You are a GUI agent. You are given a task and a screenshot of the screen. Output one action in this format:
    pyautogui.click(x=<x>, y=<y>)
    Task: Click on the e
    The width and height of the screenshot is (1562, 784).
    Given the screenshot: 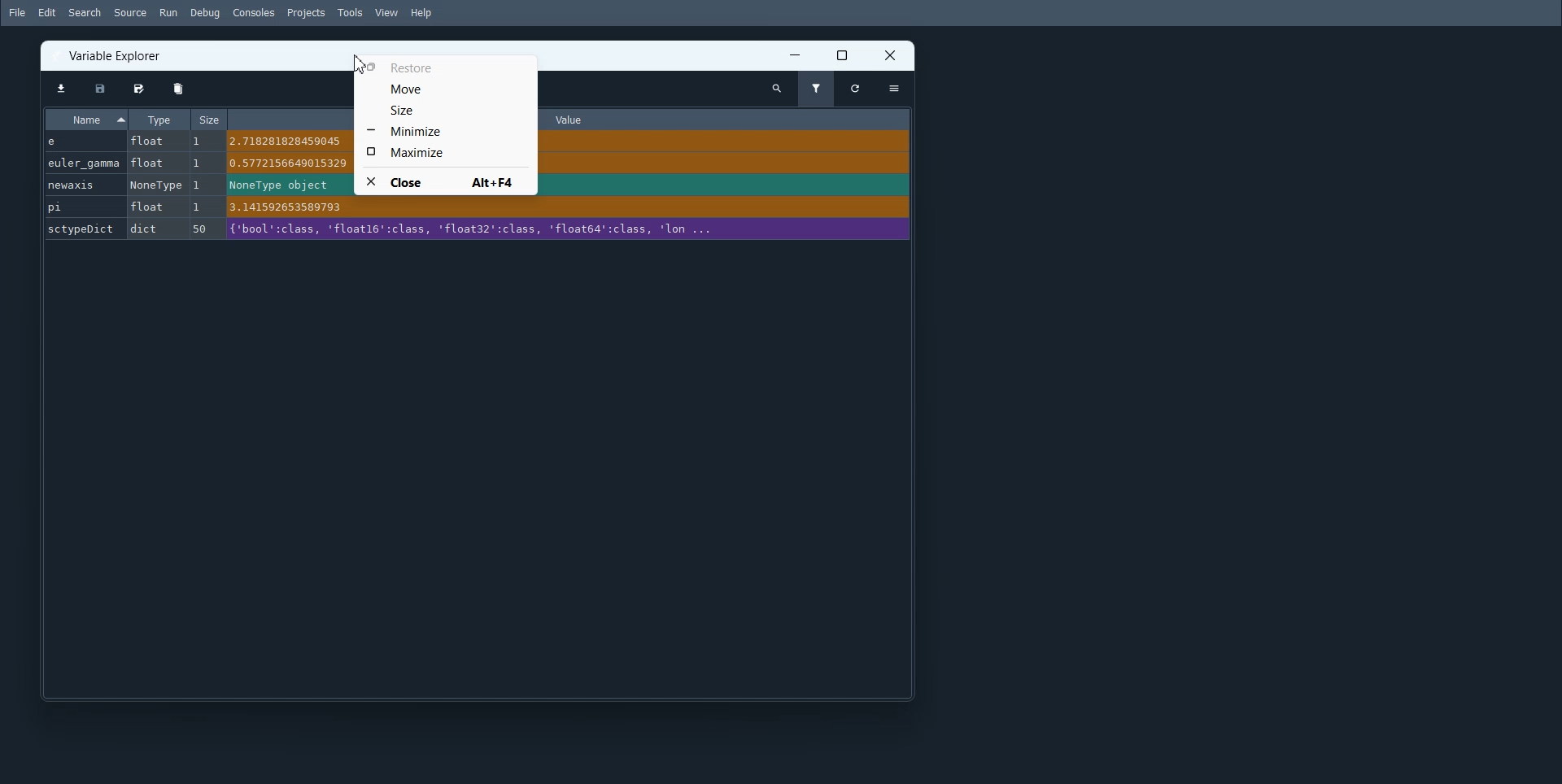 What is the action you would take?
    pyautogui.click(x=70, y=142)
    